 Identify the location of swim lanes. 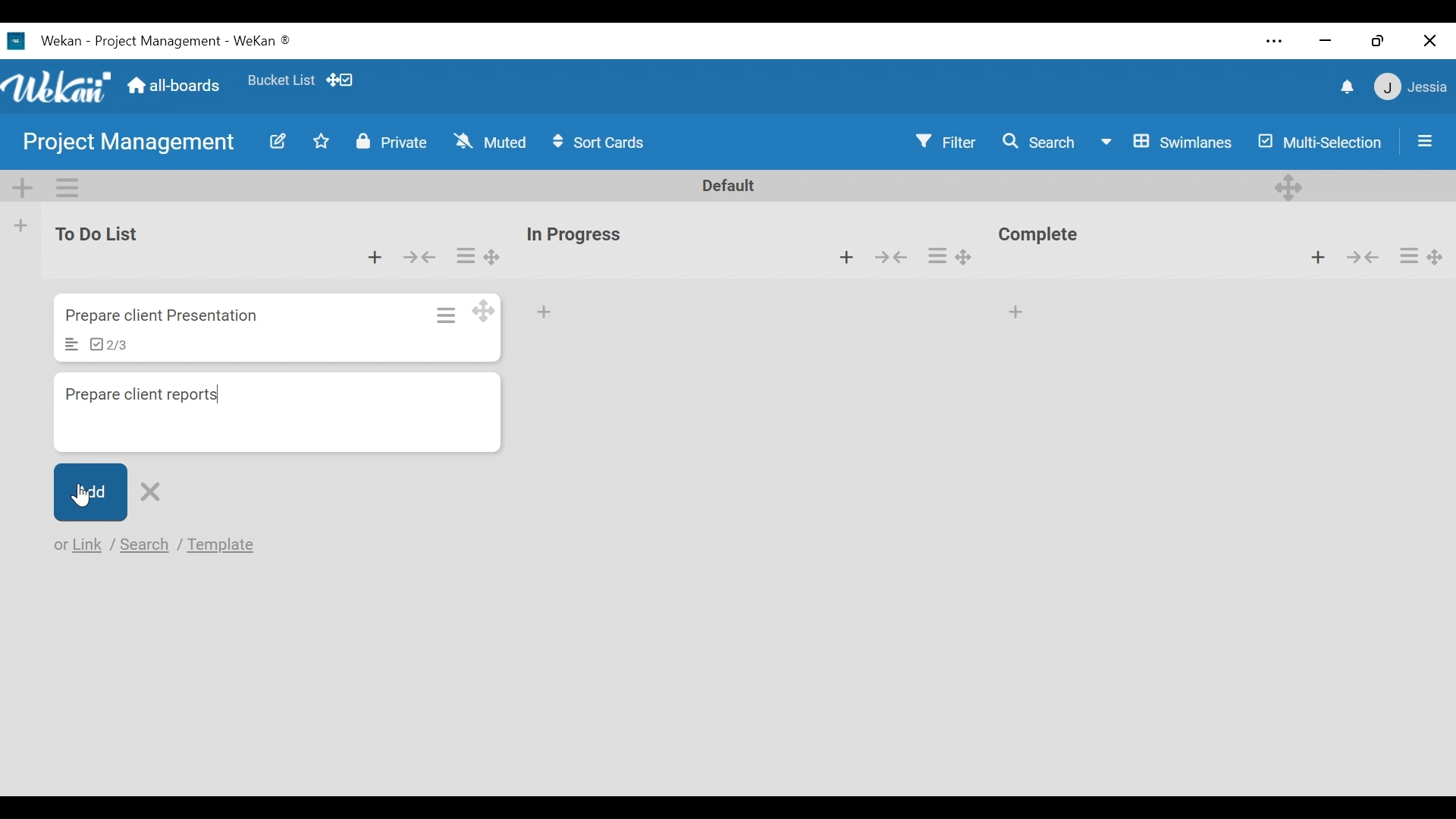
(1166, 141).